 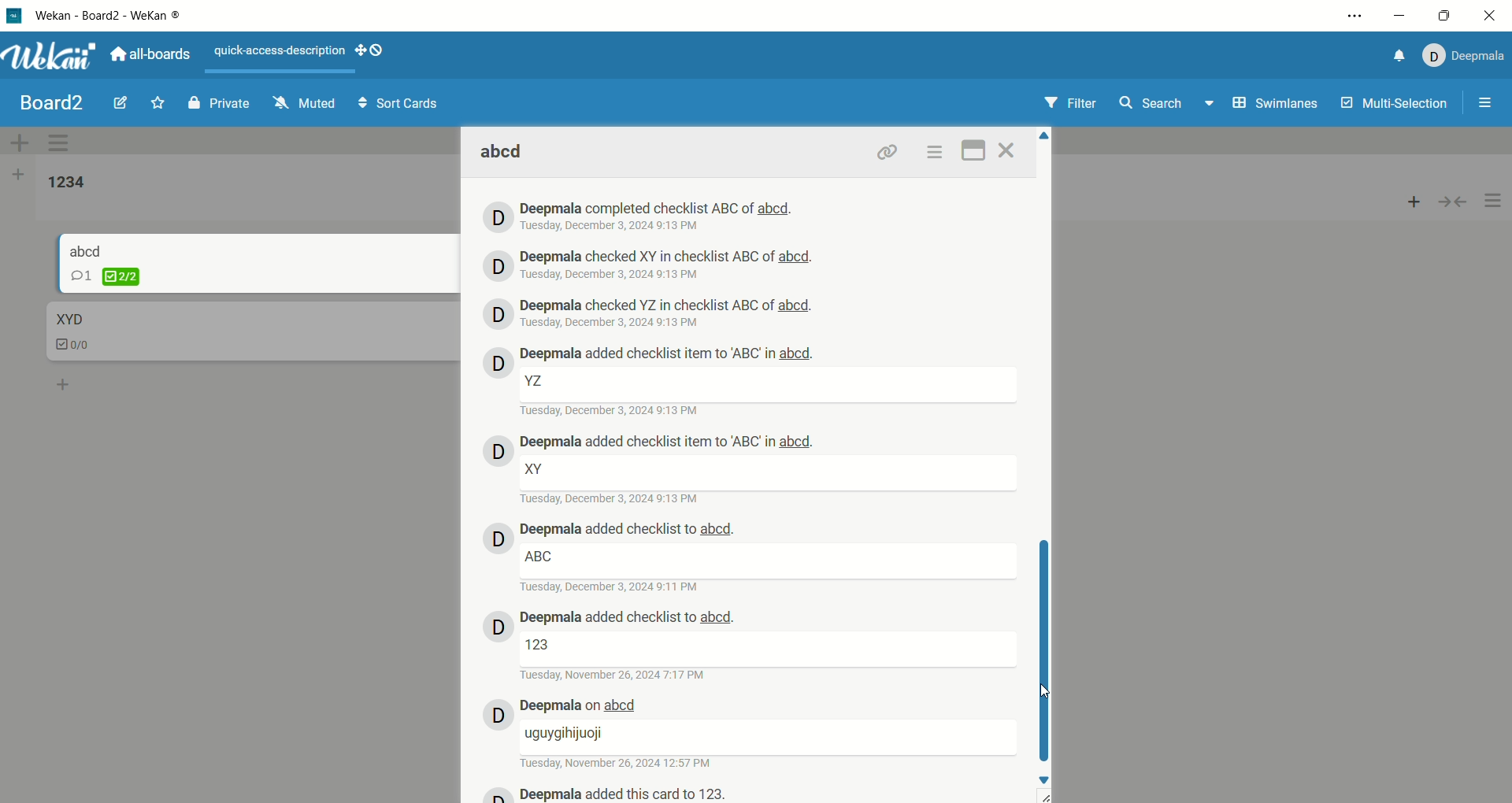 I want to click on deepmala history, so click(x=584, y=705).